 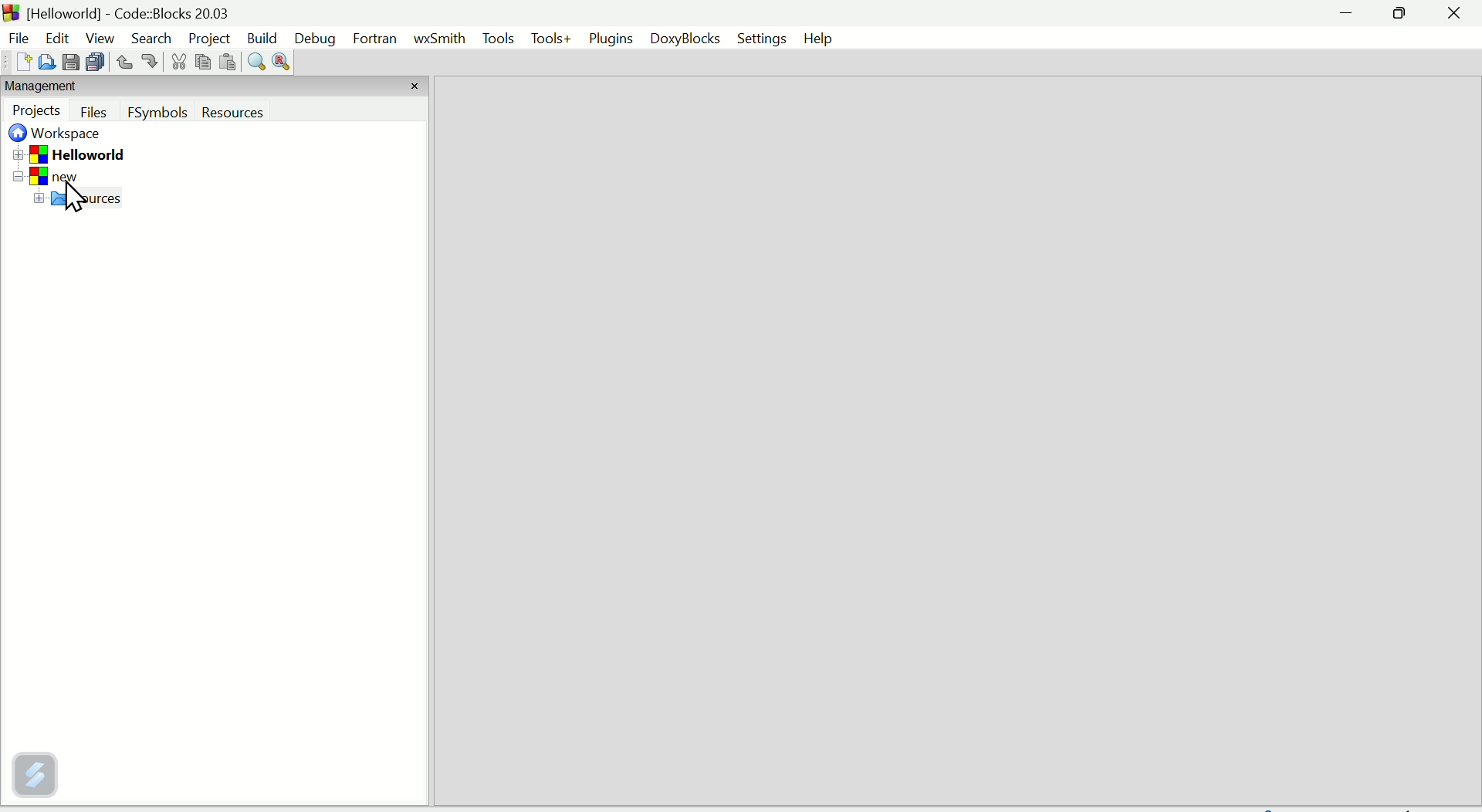 What do you see at coordinates (71, 87) in the screenshot?
I see `Management` at bounding box center [71, 87].